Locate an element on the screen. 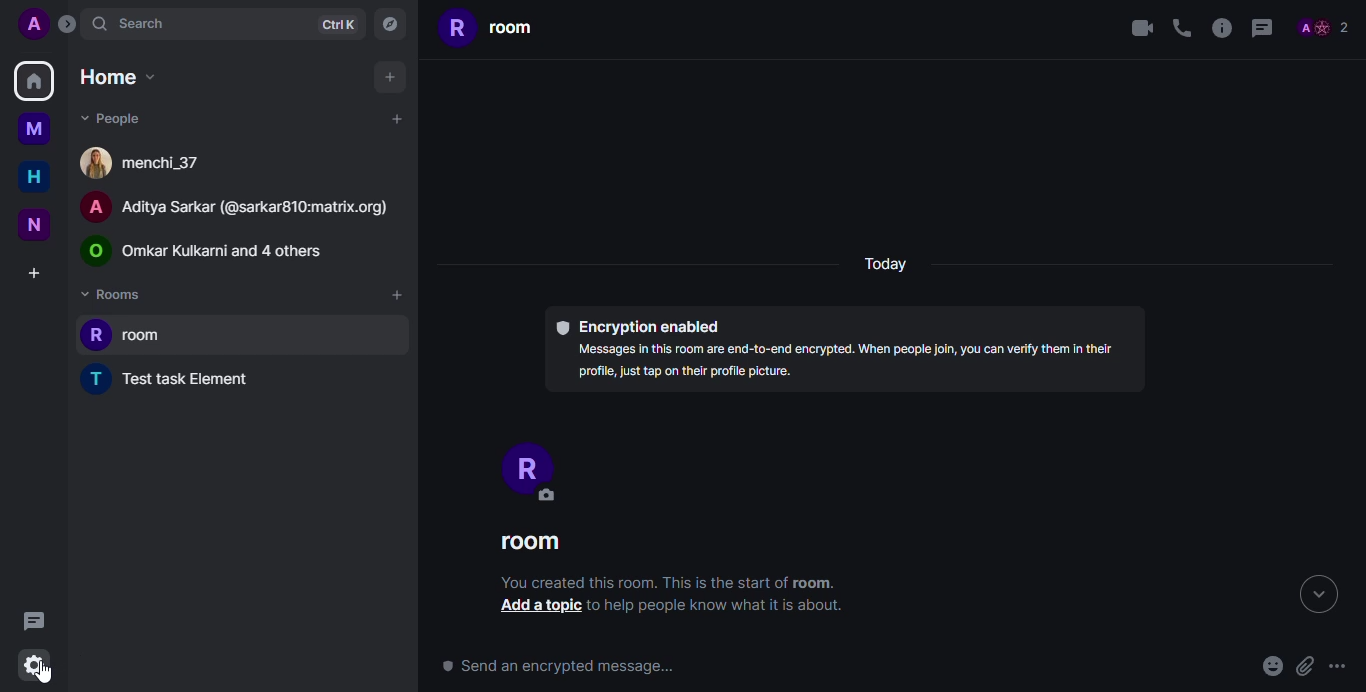 Image resolution: width=1366 pixels, height=692 pixels. Test task element is located at coordinates (181, 377).